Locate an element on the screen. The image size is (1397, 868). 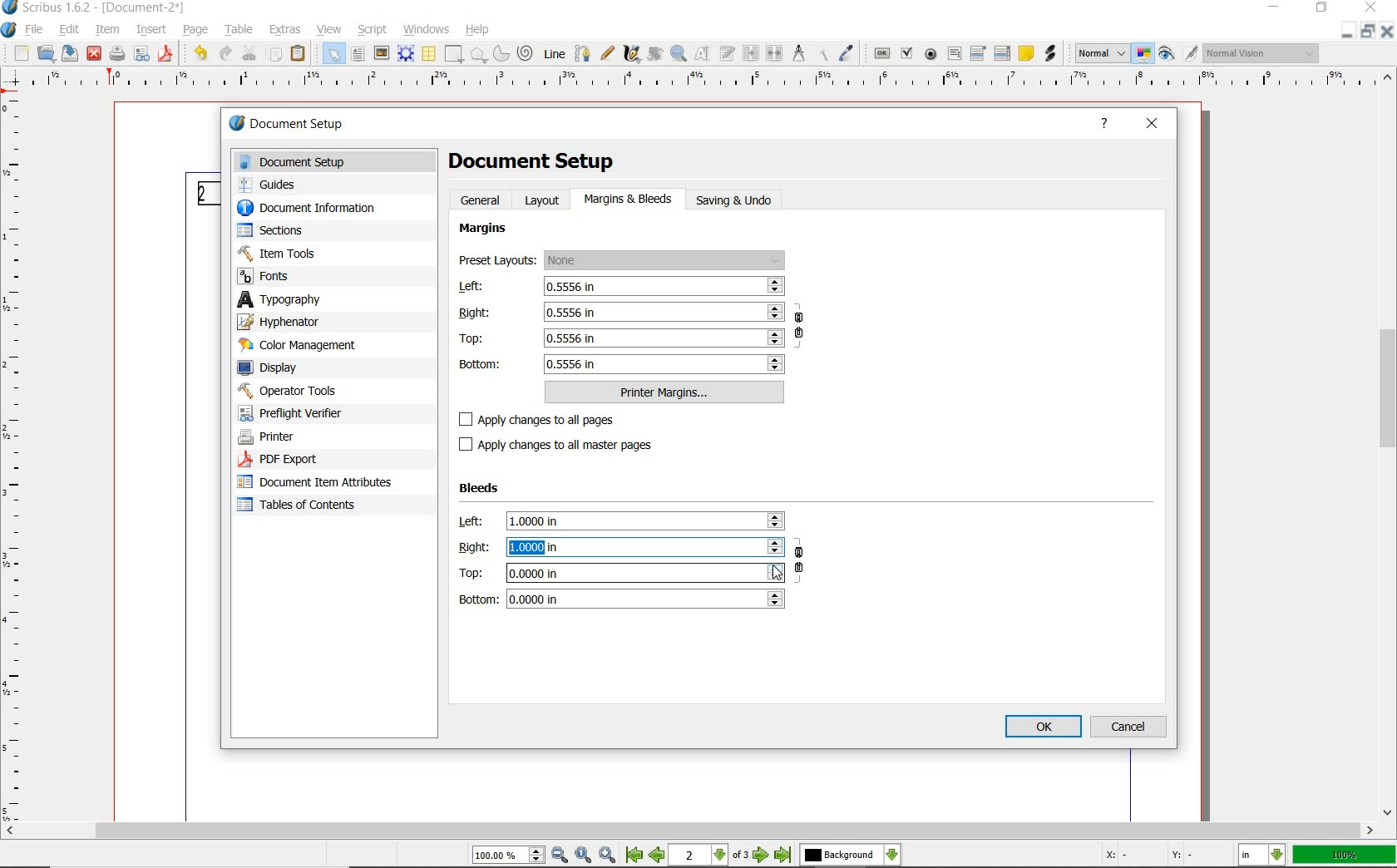
Scribus 1.62 - [Document-2*] is located at coordinates (96, 7).